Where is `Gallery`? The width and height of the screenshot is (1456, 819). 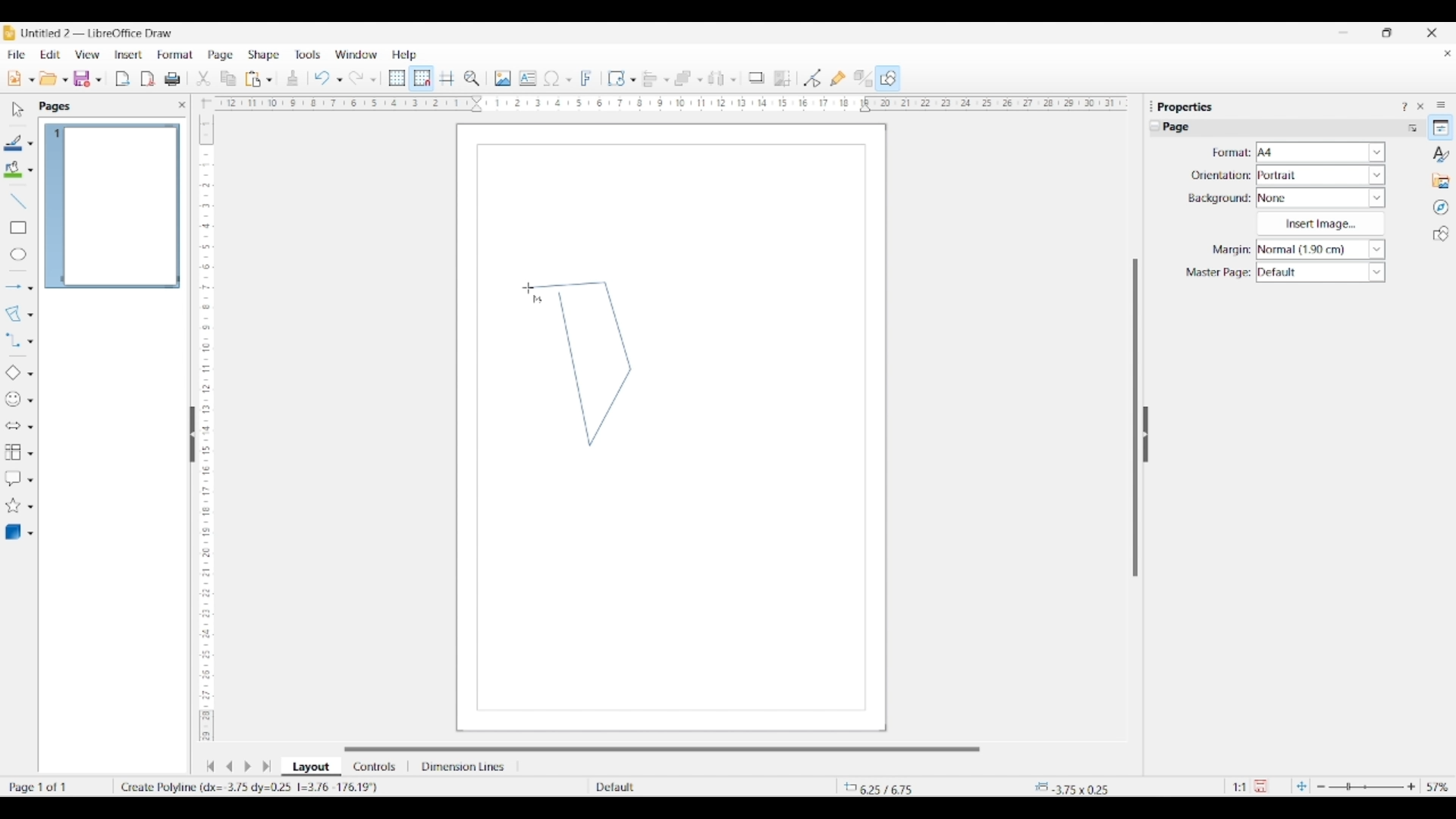
Gallery is located at coordinates (1441, 180).